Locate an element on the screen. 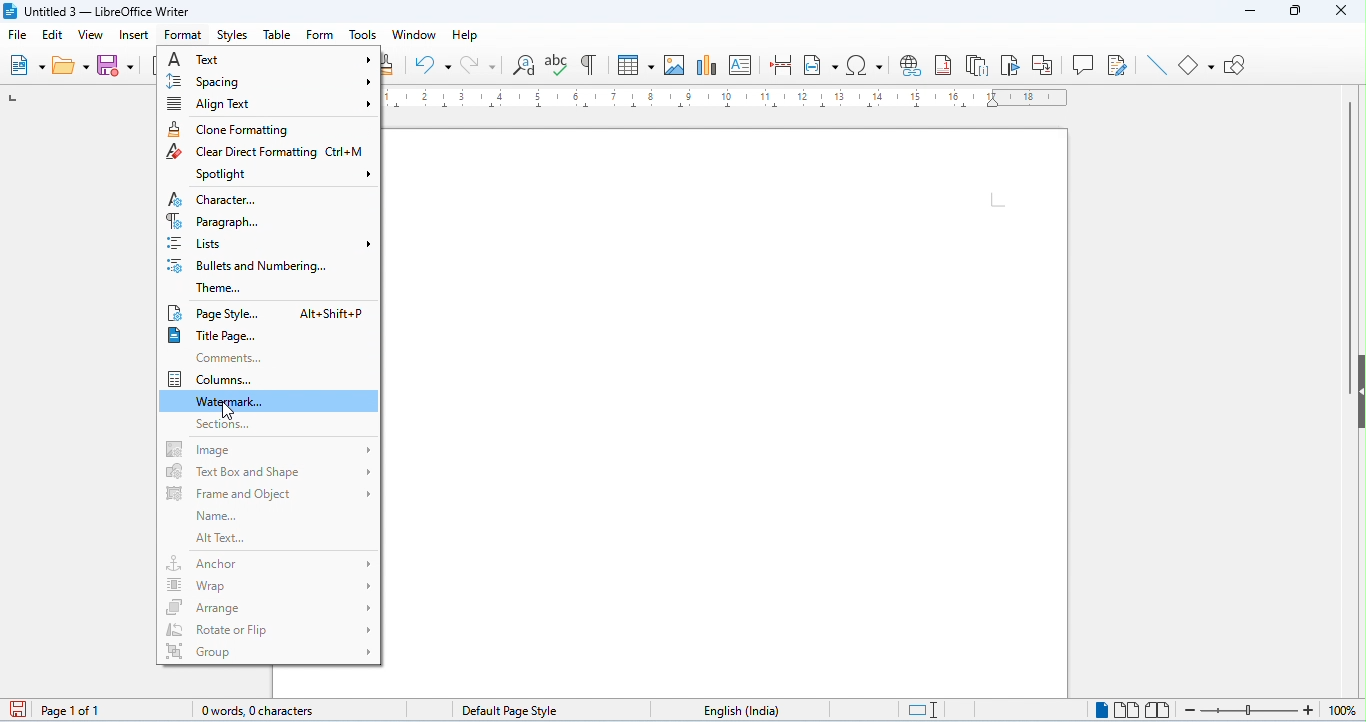 The image size is (1366, 722). ruler is located at coordinates (729, 97).